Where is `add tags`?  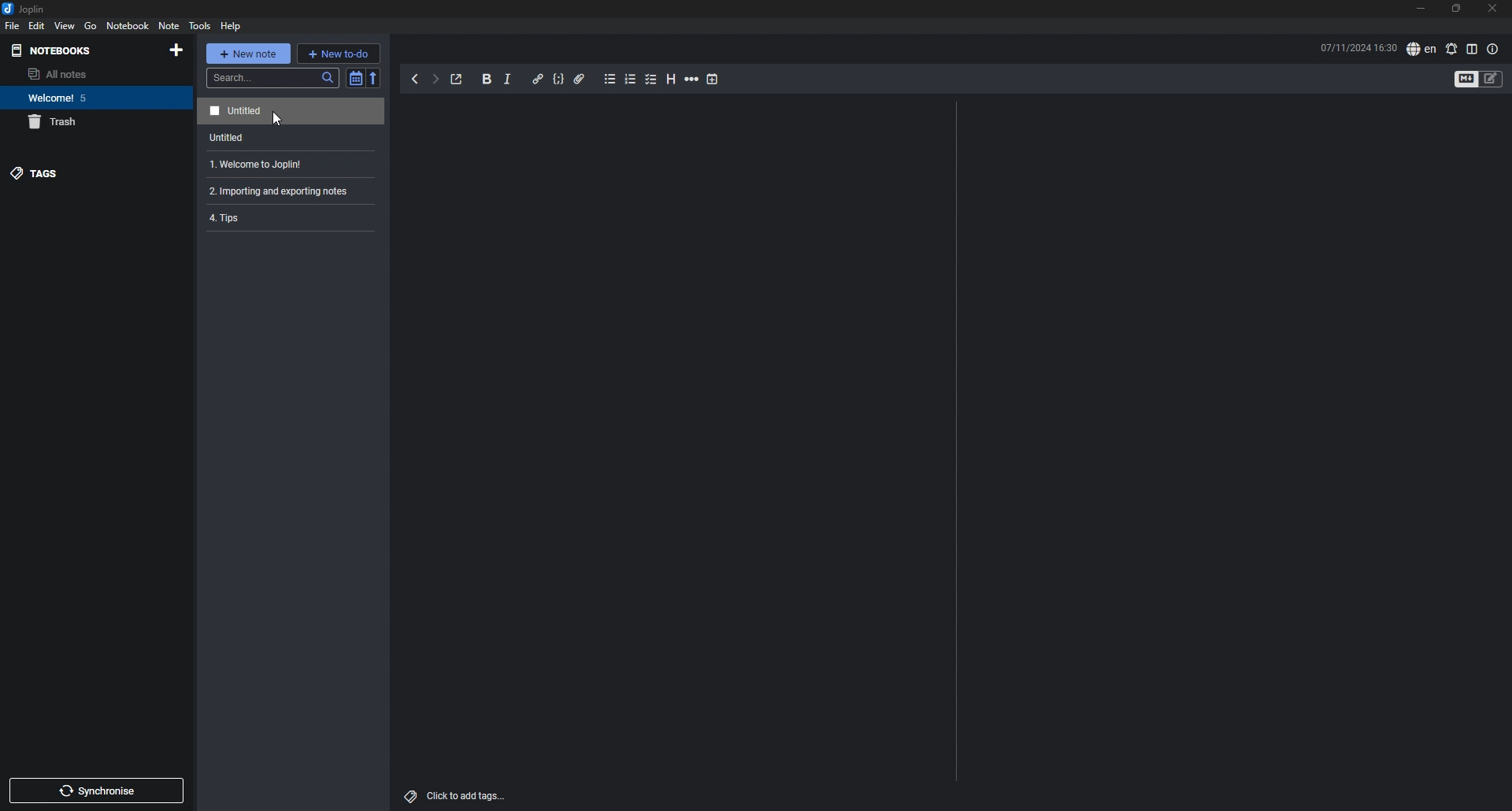 add tags is located at coordinates (454, 795).